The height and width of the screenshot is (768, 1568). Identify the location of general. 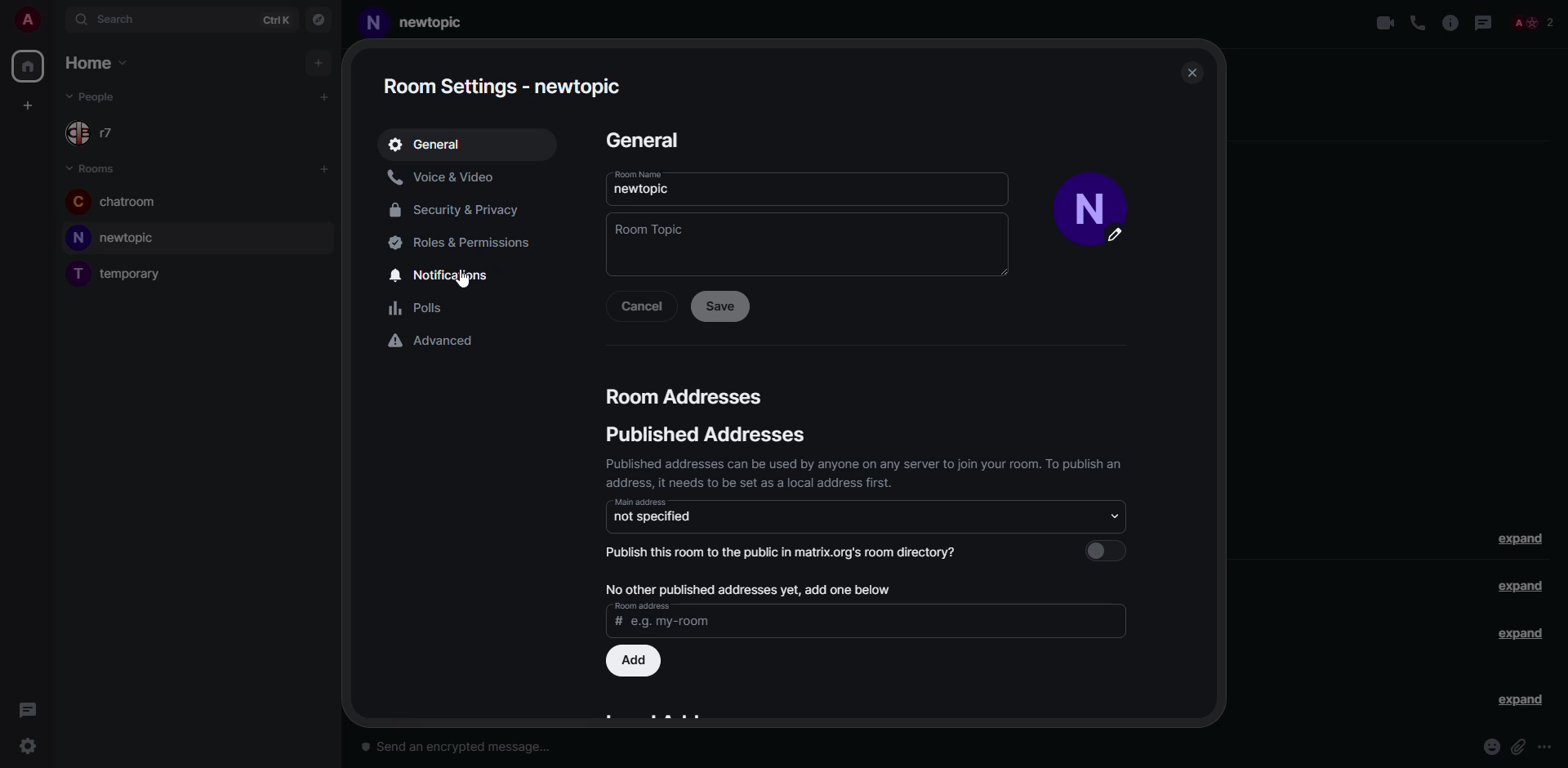
(429, 145).